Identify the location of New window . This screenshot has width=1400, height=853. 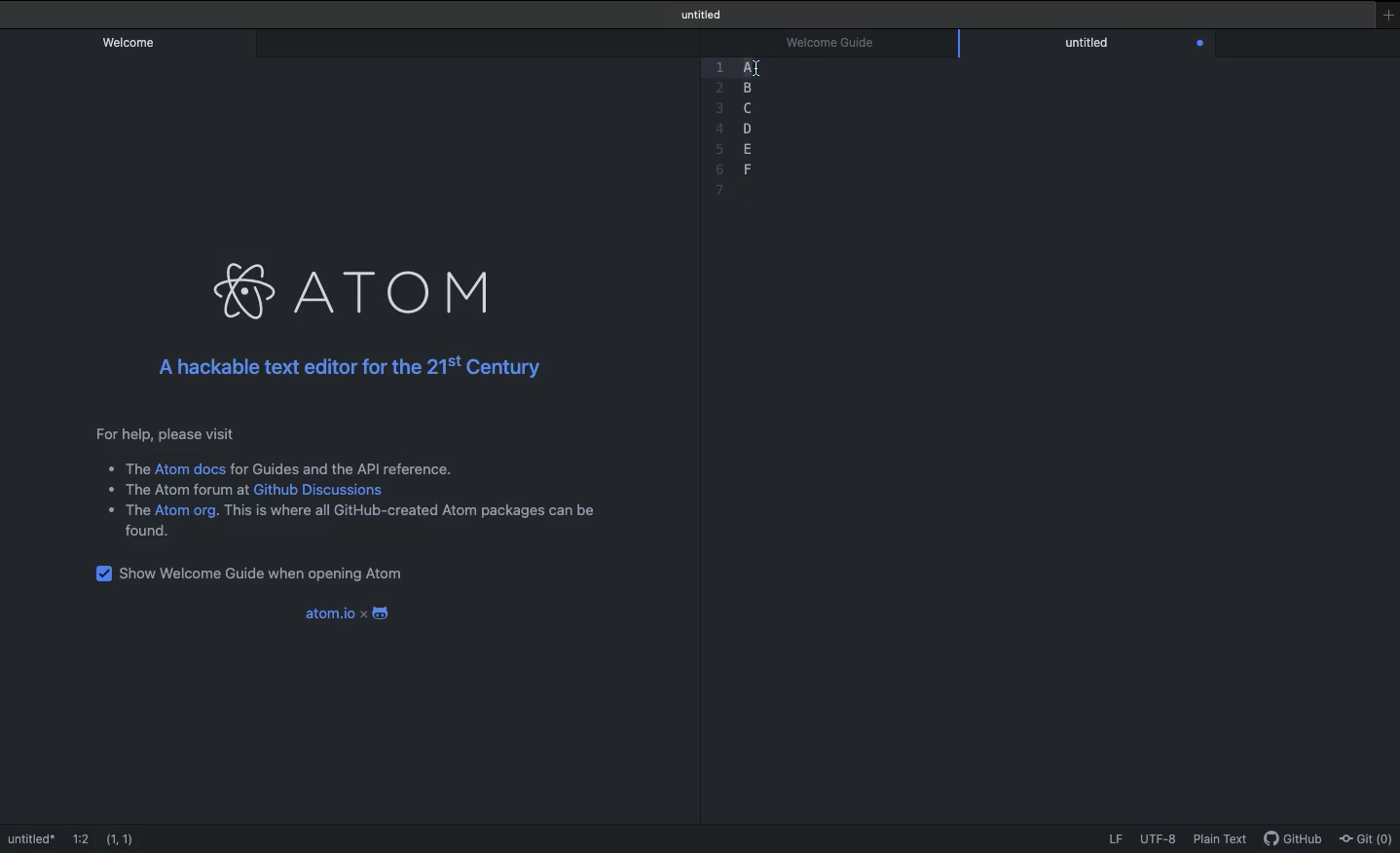
(1387, 16).